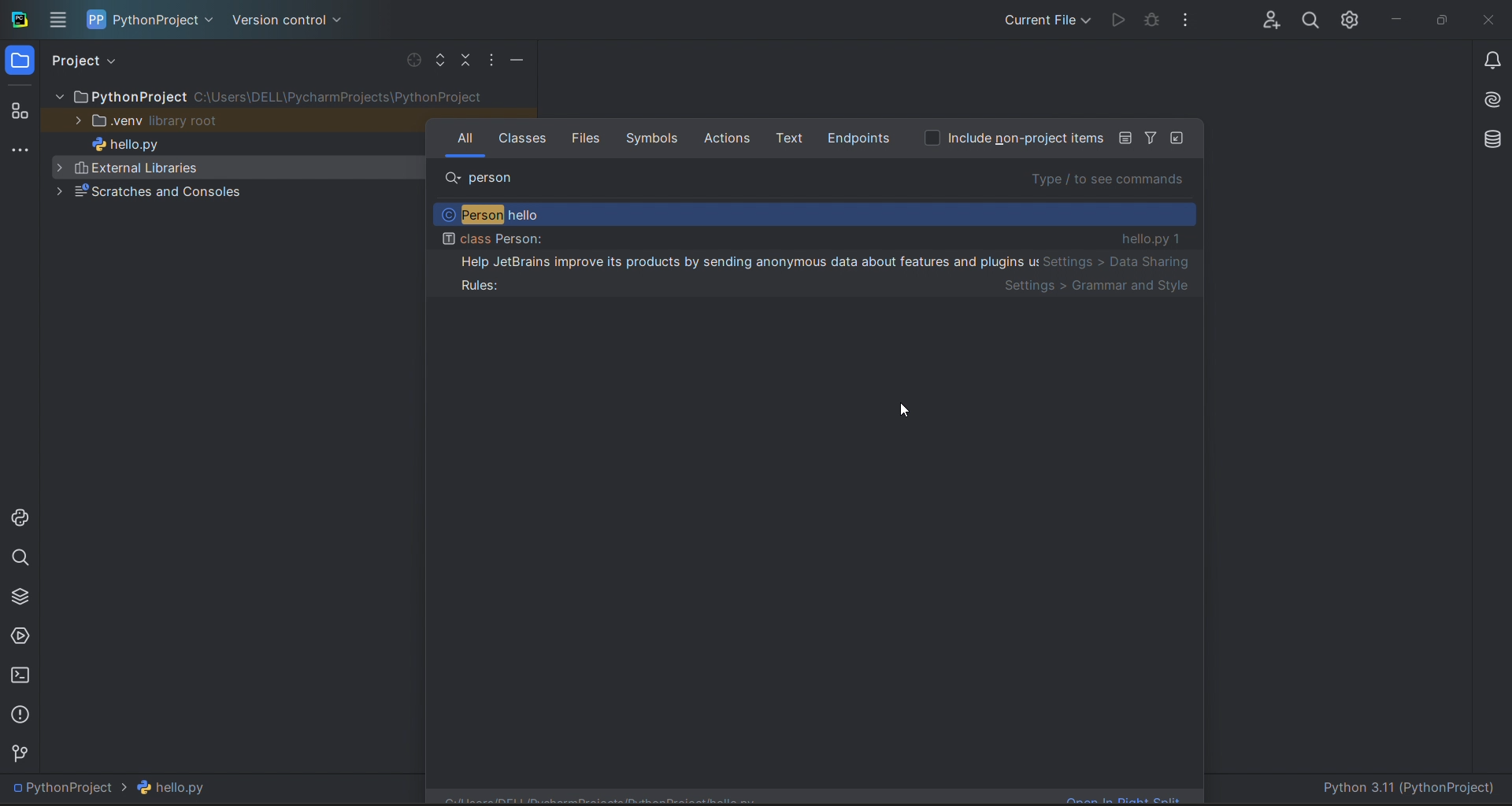 This screenshot has width=1512, height=806. I want to click on python packages, so click(19, 597).